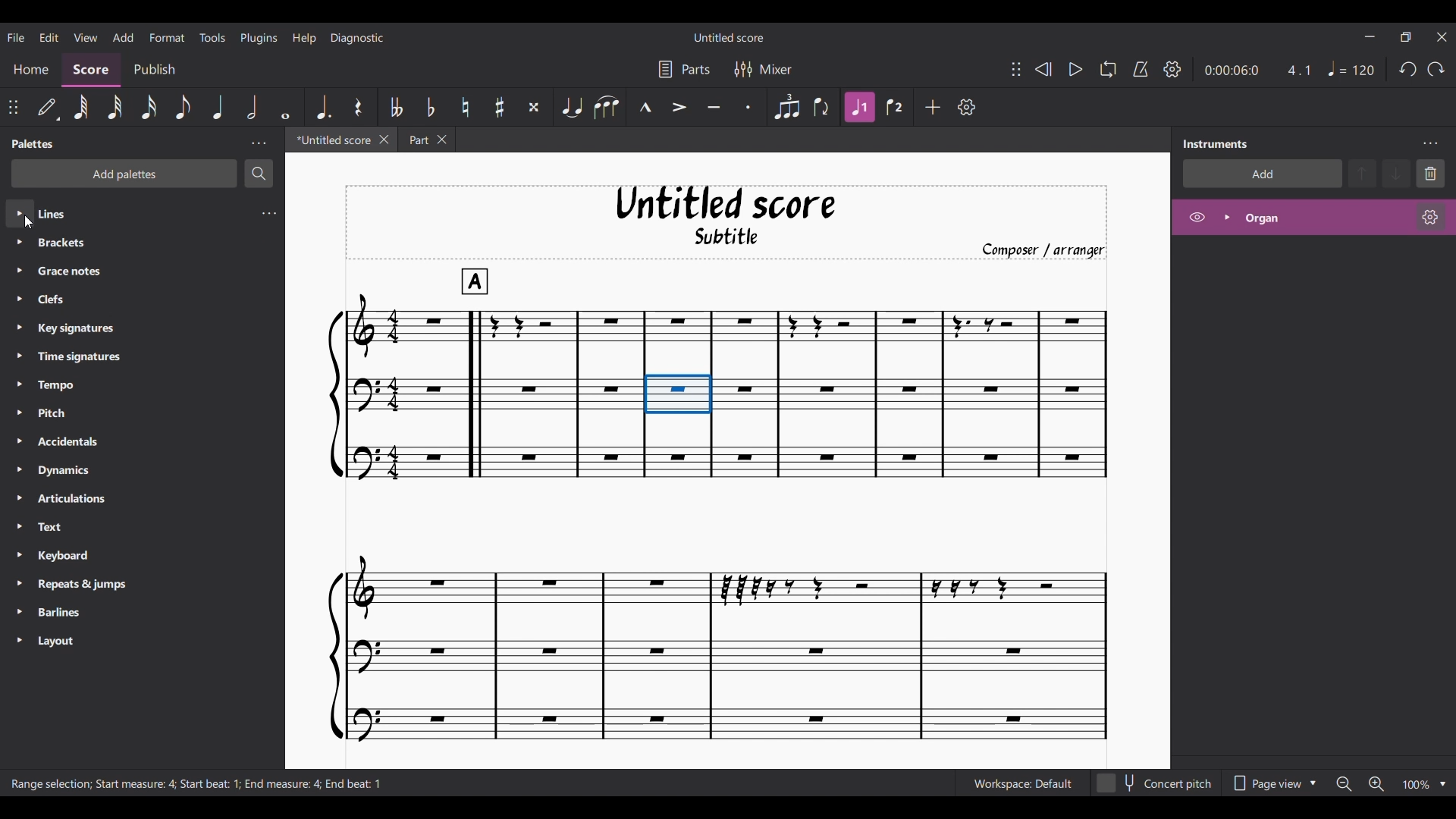 The width and height of the screenshot is (1456, 819). Describe the element at coordinates (466, 108) in the screenshot. I see `Toggle natural` at that location.